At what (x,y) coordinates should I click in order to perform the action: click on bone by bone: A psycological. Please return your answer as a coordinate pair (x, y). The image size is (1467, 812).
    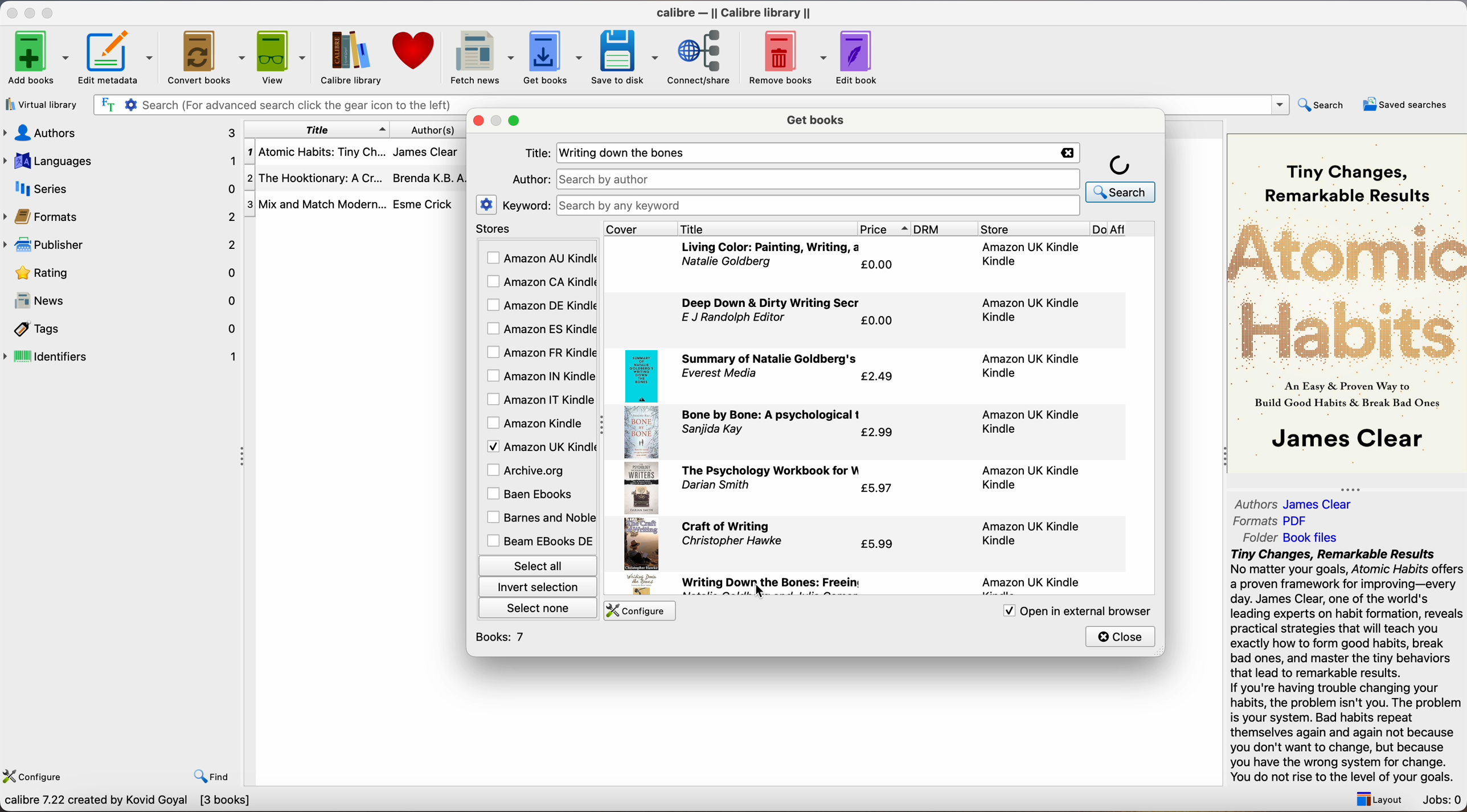
    Looking at the image, I should click on (773, 416).